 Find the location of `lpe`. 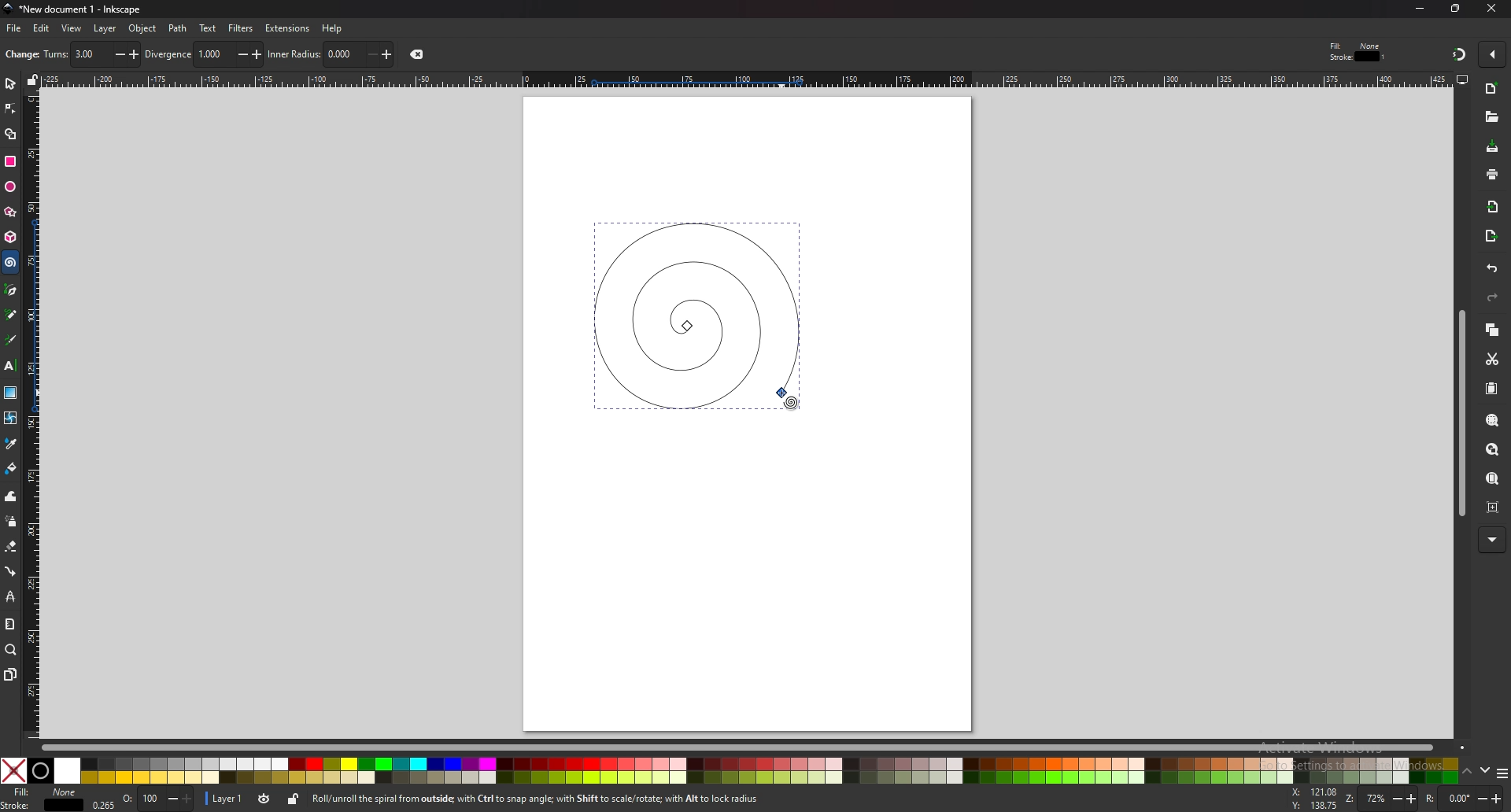

lpe is located at coordinates (10, 598).